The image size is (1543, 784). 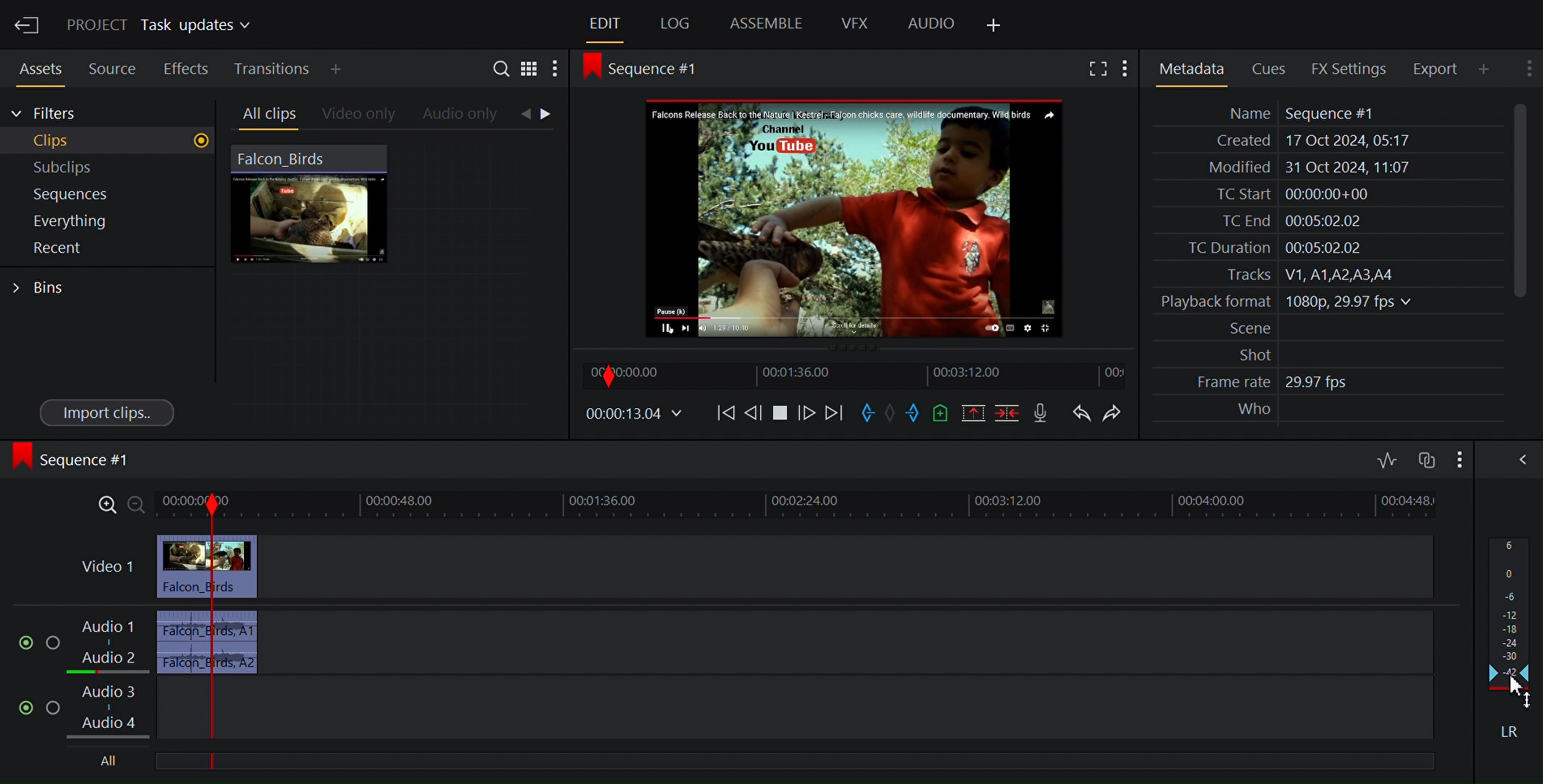 What do you see at coordinates (972, 413) in the screenshot?
I see `Remove all marked sections` at bounding box center [972, 413].